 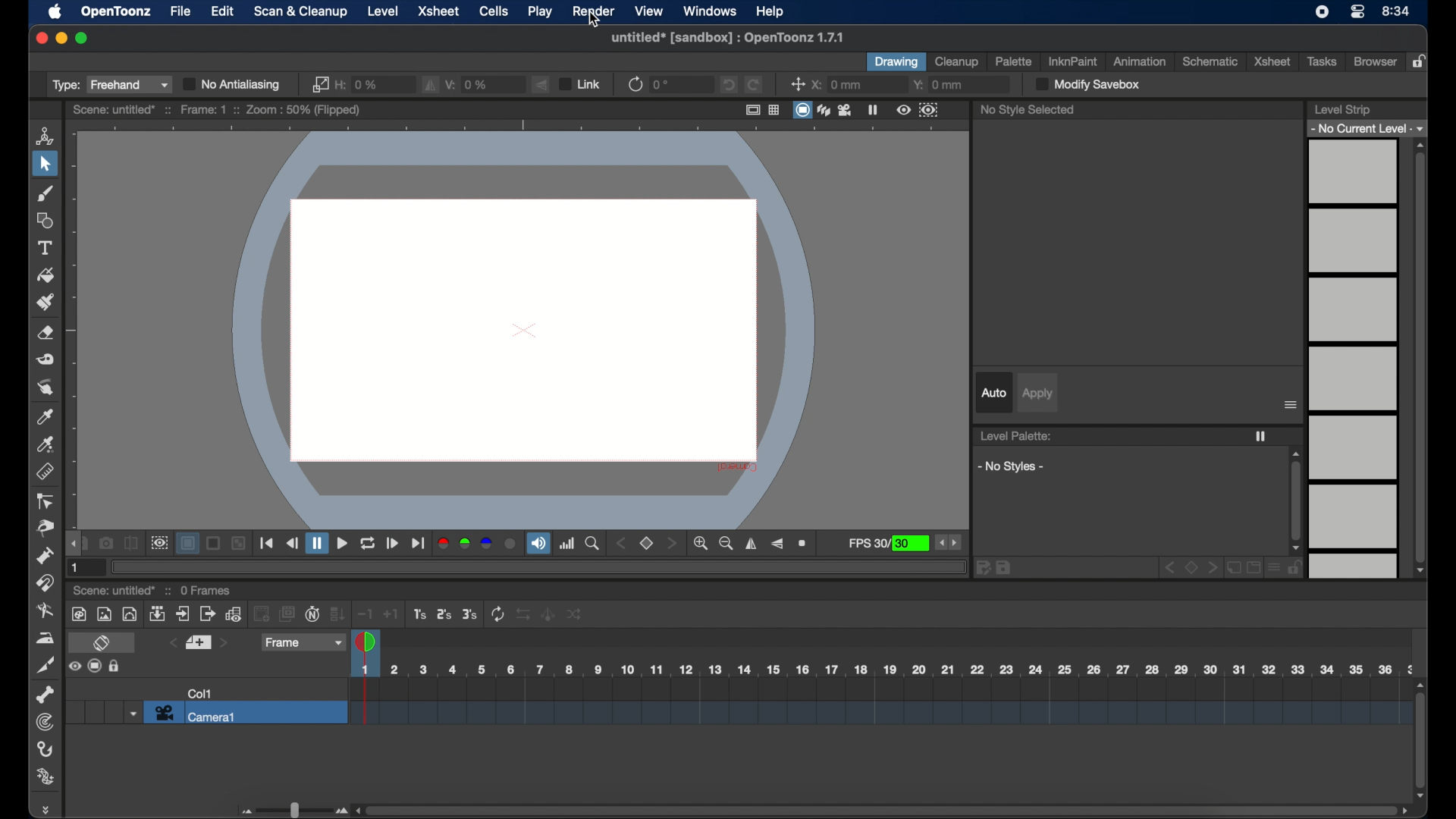 What do you see at coordinates (1016, 436) in the screenshot?
I see `level palette` at bounding box center [1016, 436].